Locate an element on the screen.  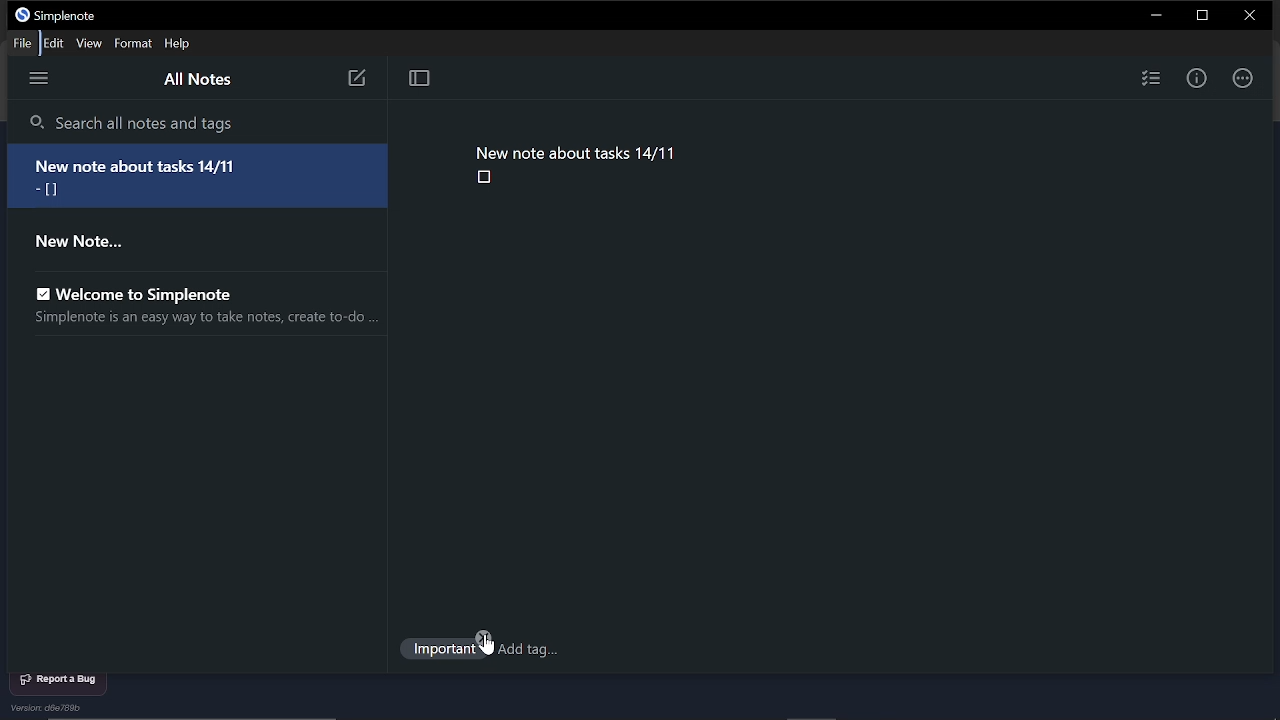
checkbox is located at coordinates (485, 178).